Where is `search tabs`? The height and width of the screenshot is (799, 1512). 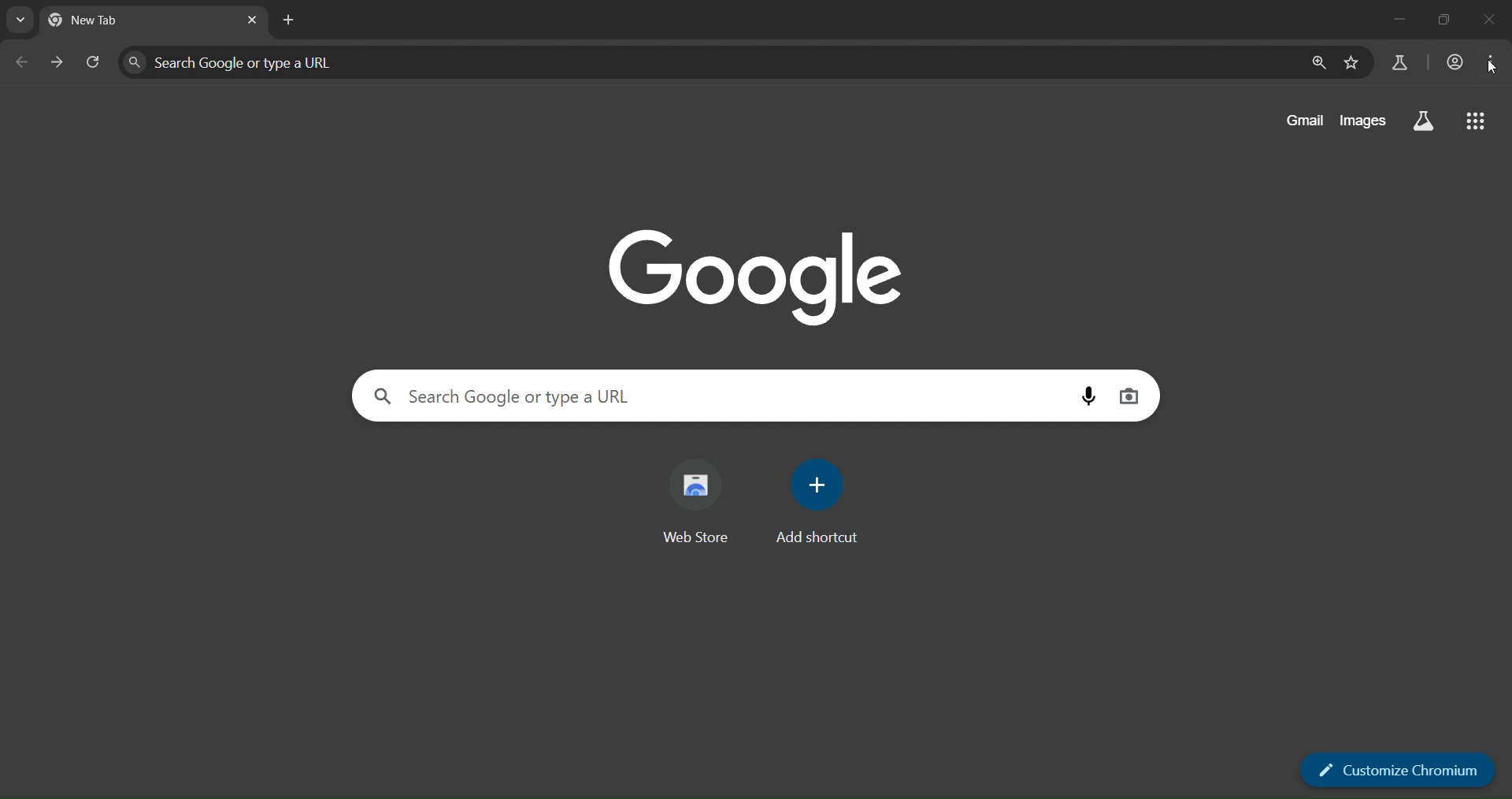 search tabs is located at coordinates (20, 20).